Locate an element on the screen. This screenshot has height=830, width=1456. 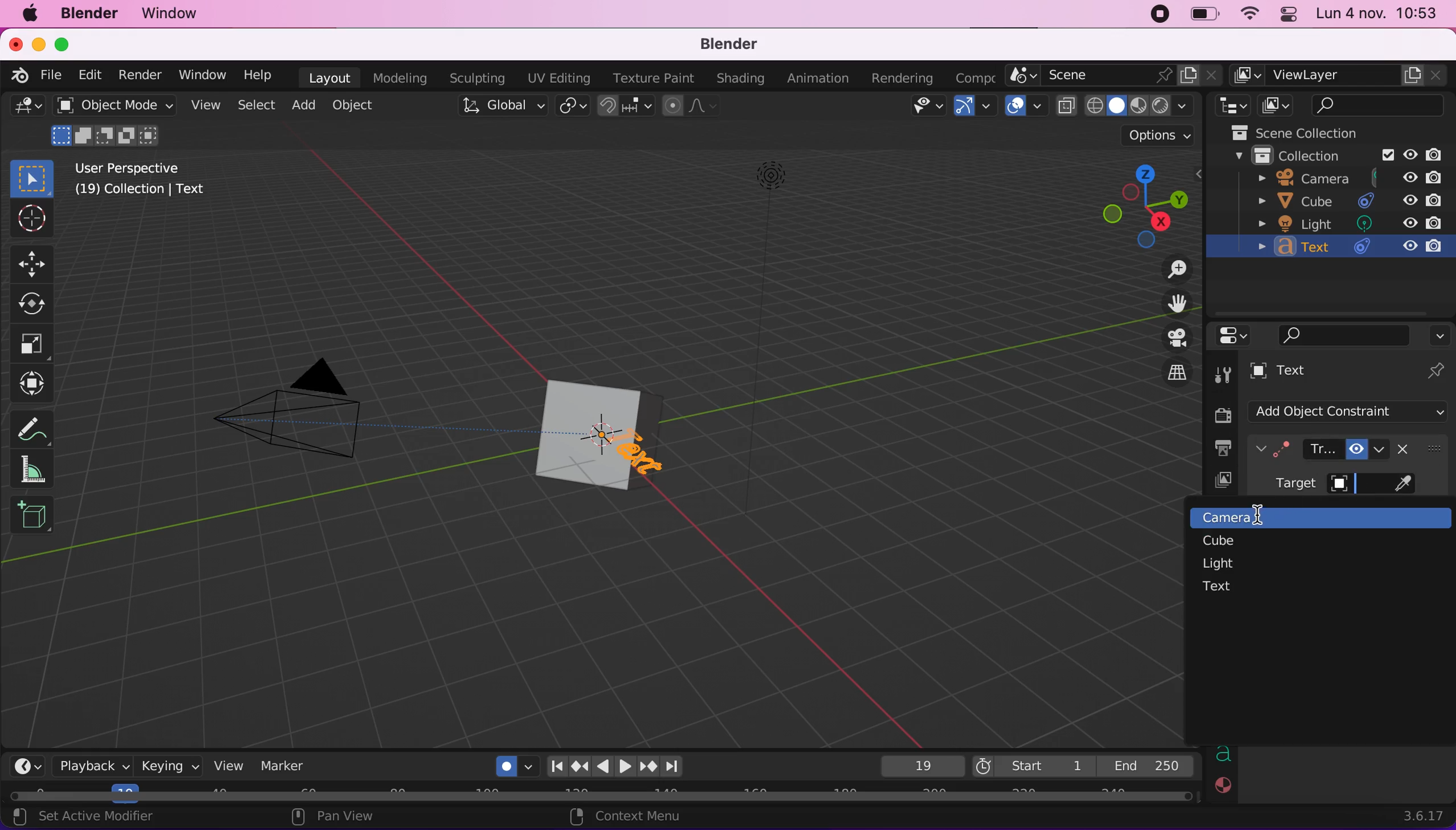
edit is located at coordinates (90, 75).